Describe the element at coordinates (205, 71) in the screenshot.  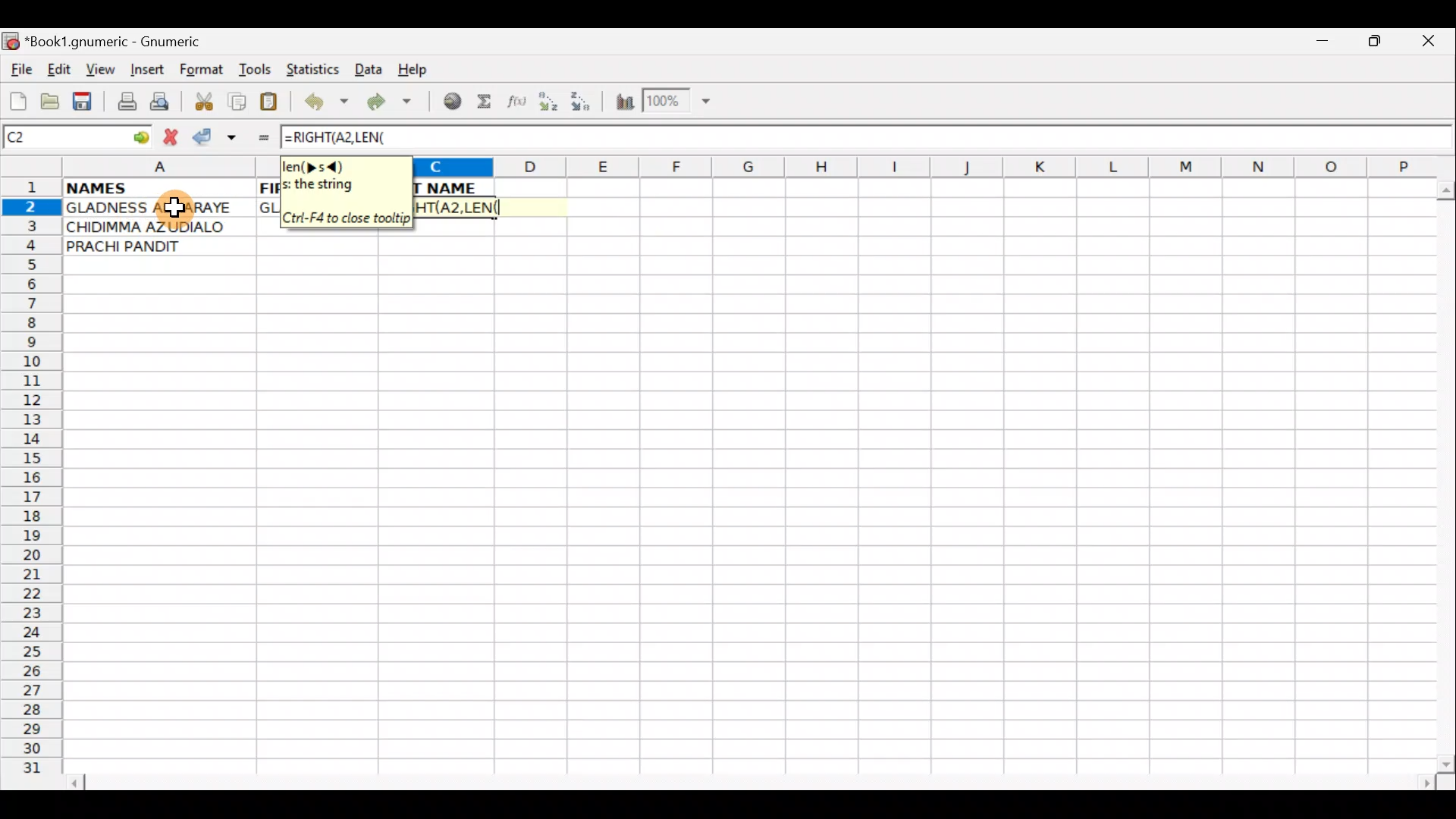
I see `Format` at that location.